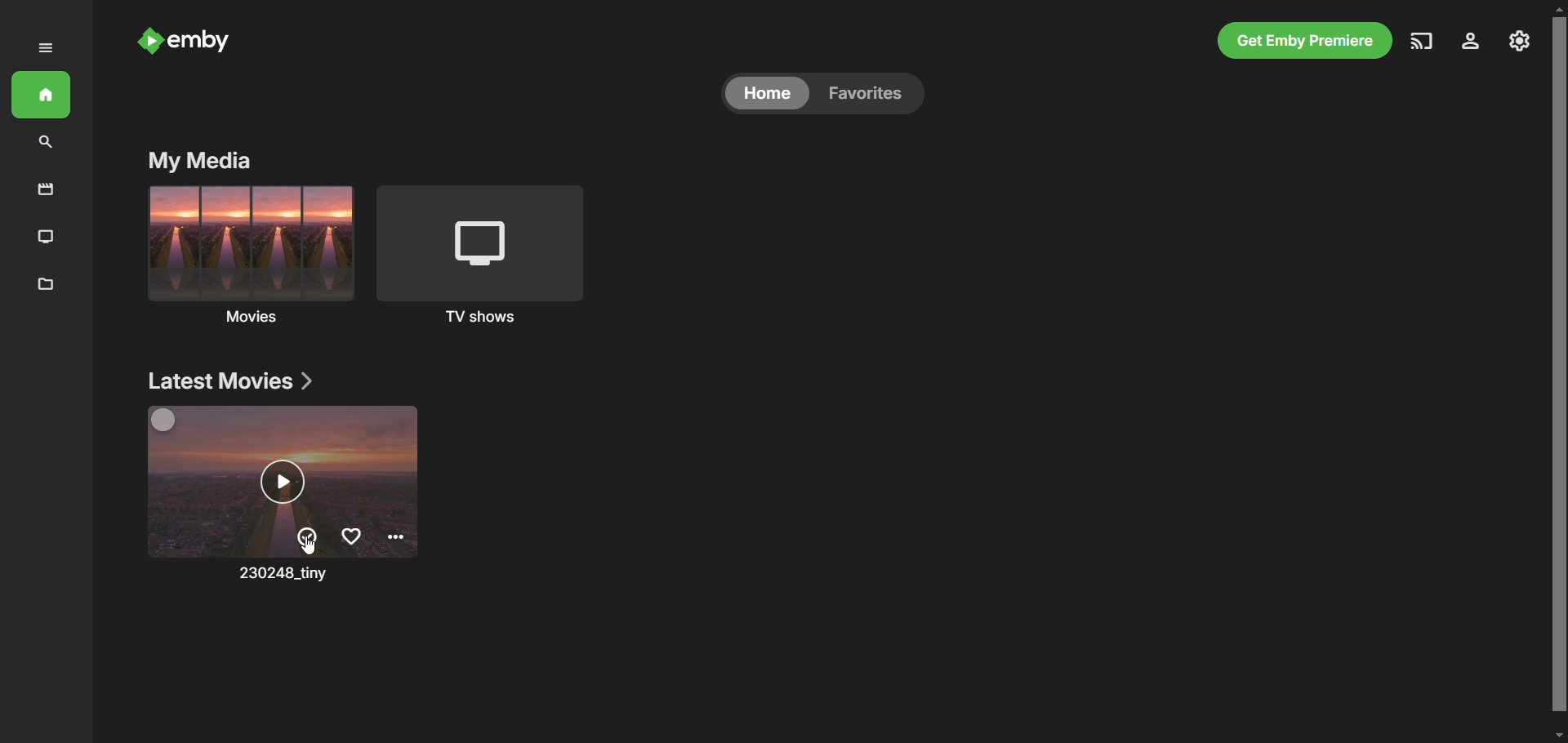 This screenshot has width=1568, height=743. Describe the element at coordinates (47, 48) in the screenshot. I see `expand` at that location.